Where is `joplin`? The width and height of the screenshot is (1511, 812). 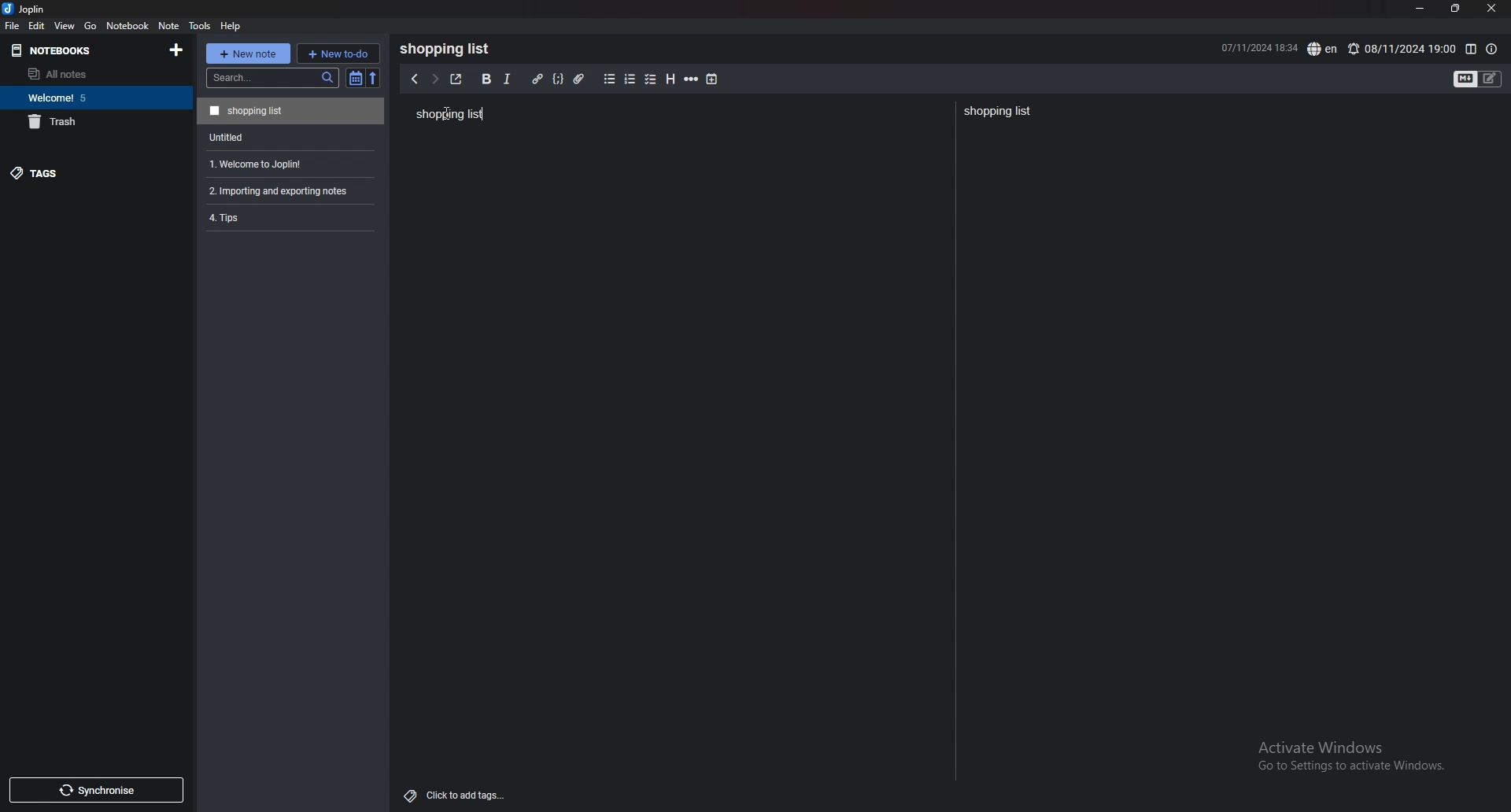
joplin is located at coordinates (27, 9).